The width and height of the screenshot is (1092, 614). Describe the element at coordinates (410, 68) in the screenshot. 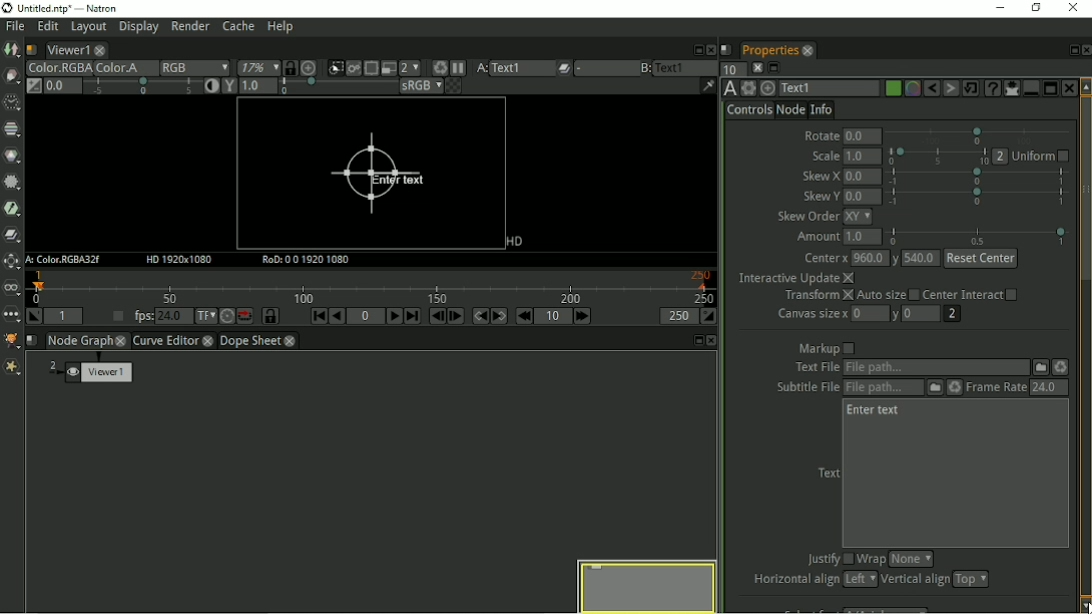

I see `Proxy mode` at that location.